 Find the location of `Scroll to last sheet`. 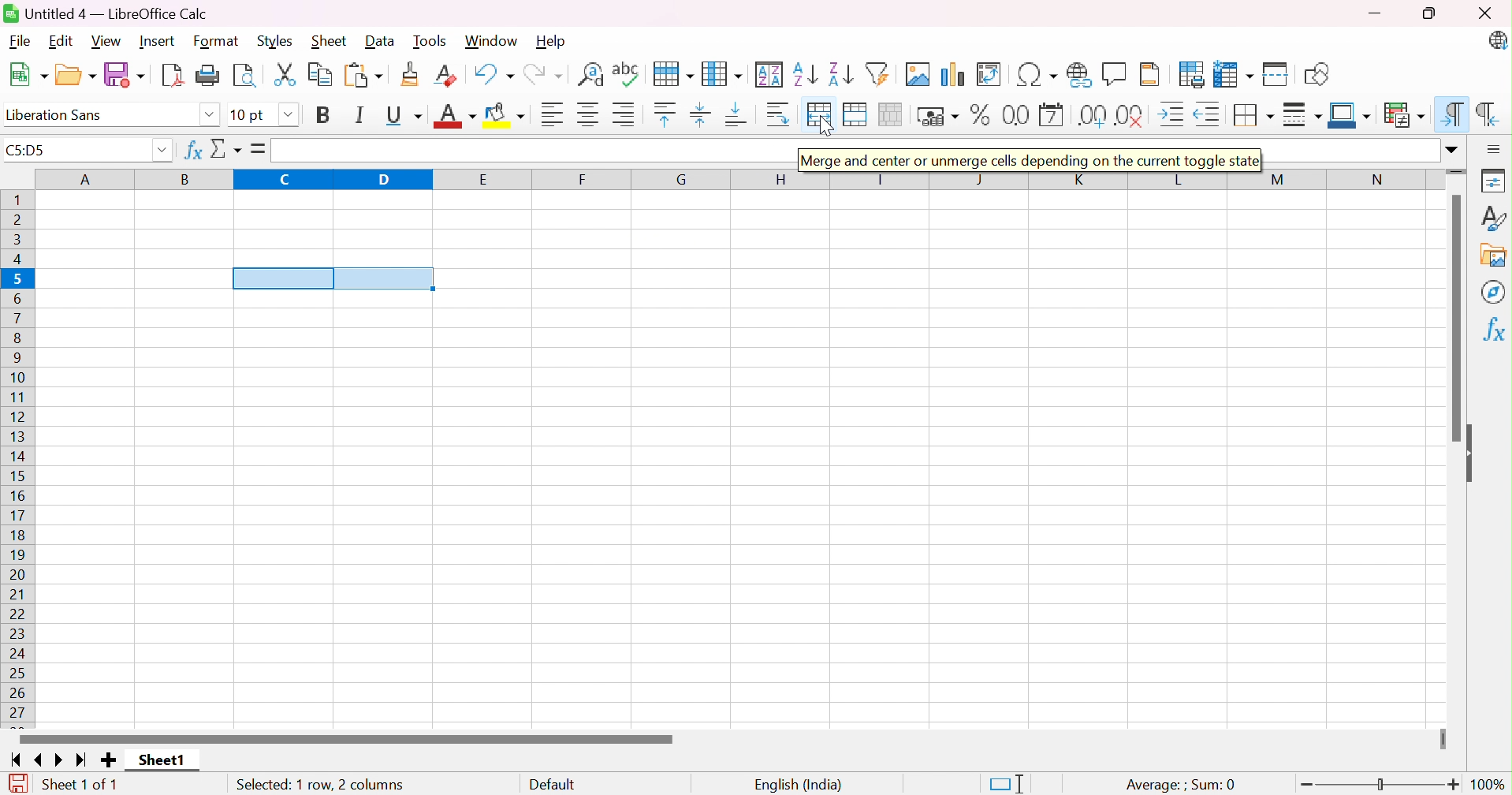

Scroll to last sheet is located at coordinates (84, 762).